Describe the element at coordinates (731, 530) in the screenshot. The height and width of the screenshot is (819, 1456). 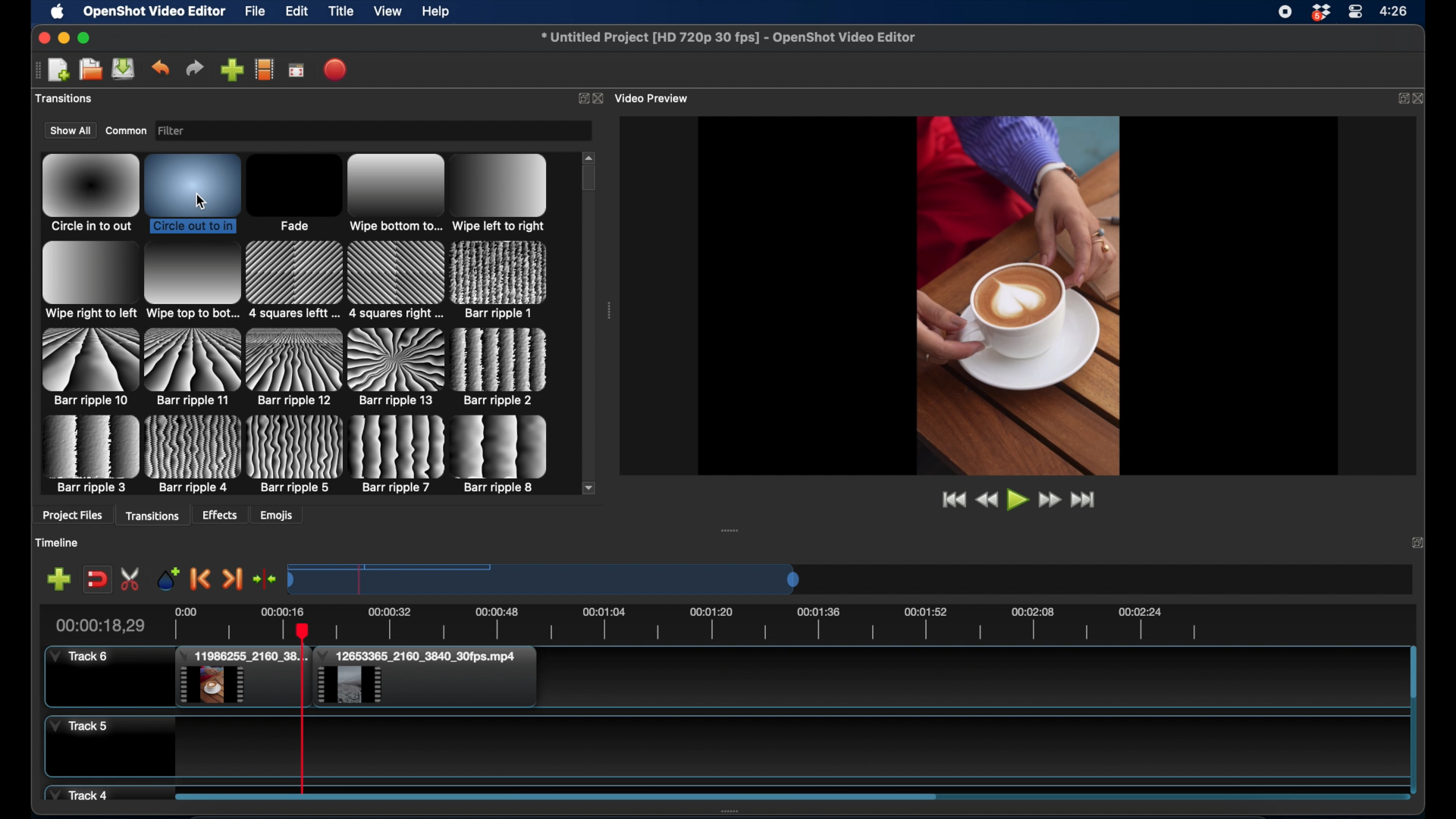
I see `drag handle` at that location.